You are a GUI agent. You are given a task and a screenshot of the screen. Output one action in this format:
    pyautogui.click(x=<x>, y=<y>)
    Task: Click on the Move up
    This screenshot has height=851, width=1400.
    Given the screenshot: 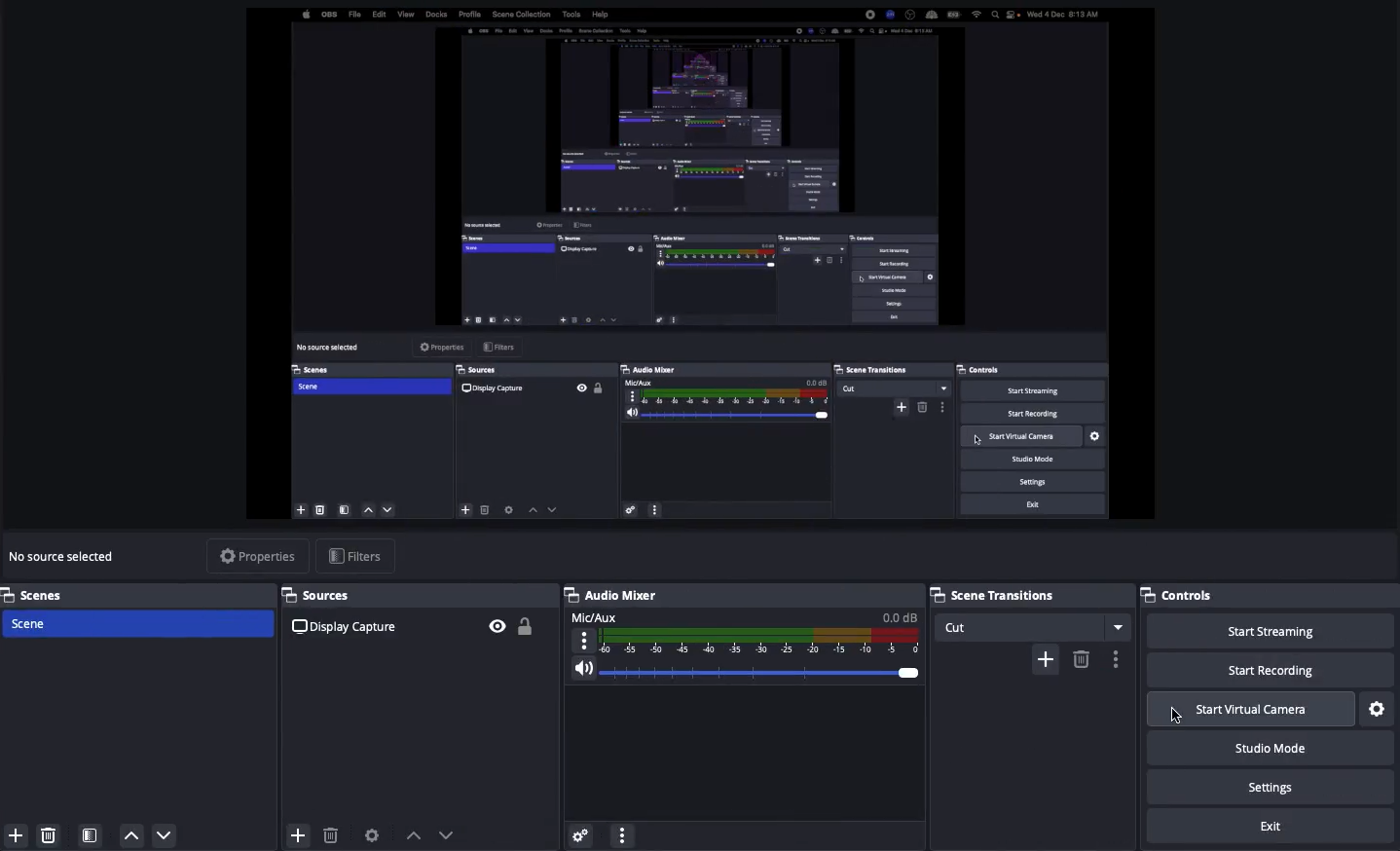 What is the action you would take?
    pyautogui.click(x=131, y=836)
    